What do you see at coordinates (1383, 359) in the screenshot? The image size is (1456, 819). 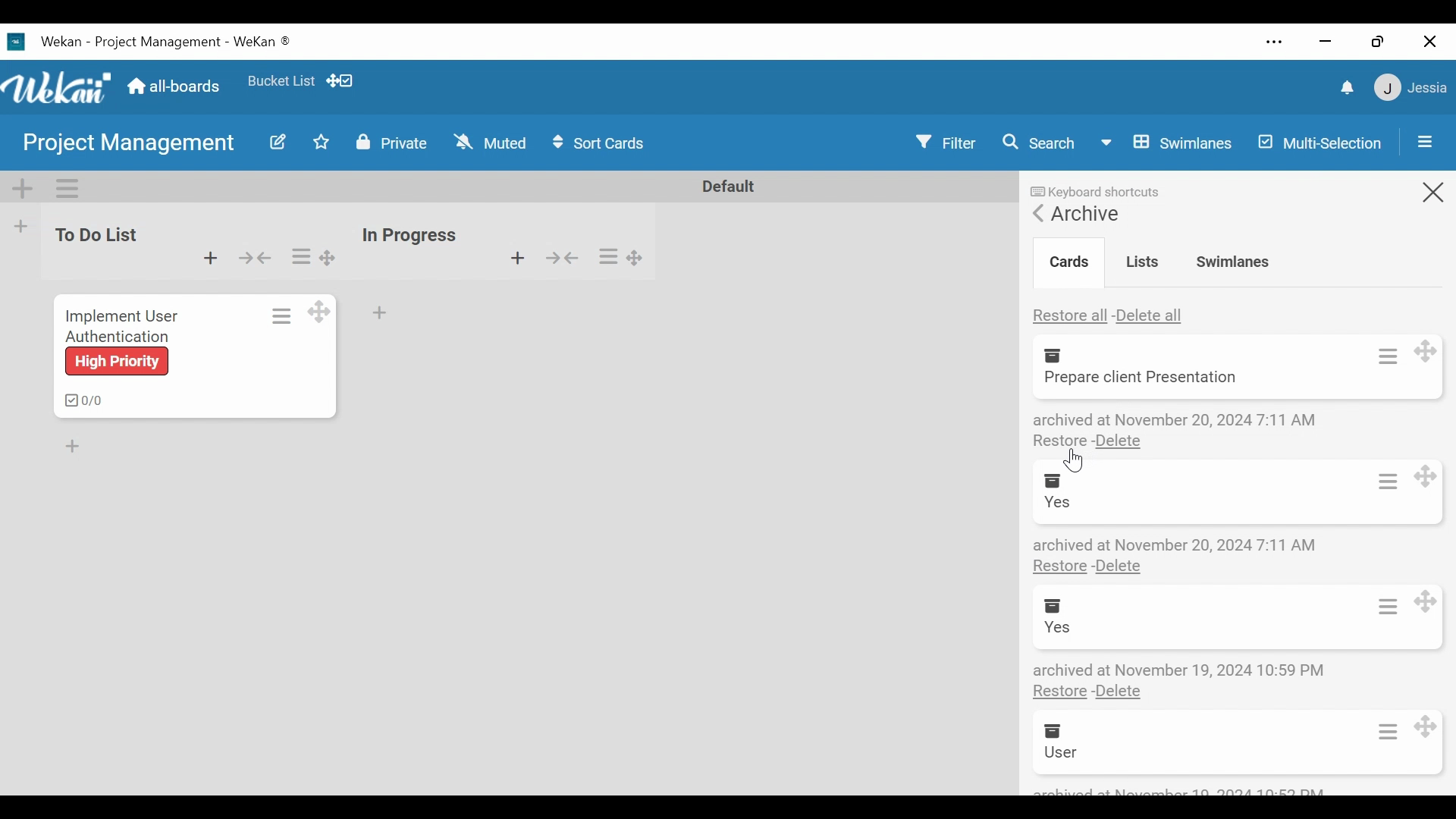 I see `Card actions` at bounding box center [1383, 359].